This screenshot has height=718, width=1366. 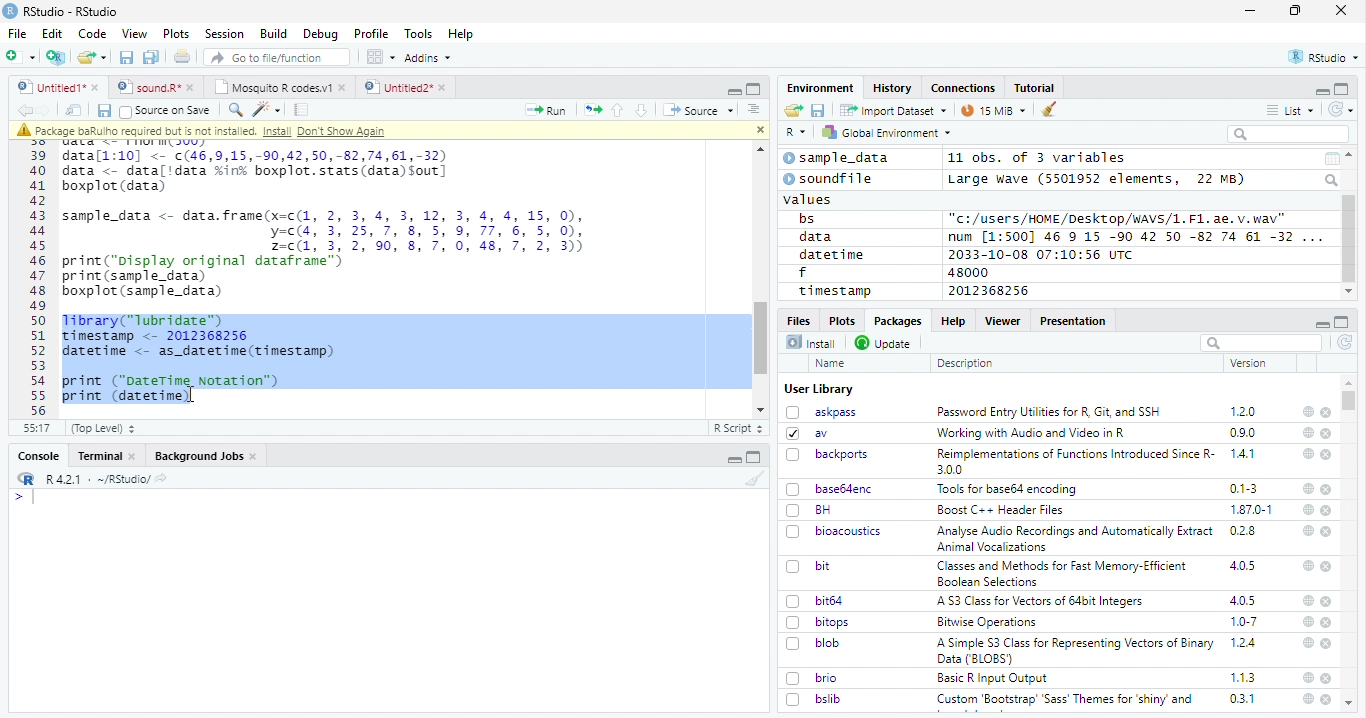 What do you see at coordinates (48, 110) in the screenshot?
I see `go forward` at bounding box center [48, 110].